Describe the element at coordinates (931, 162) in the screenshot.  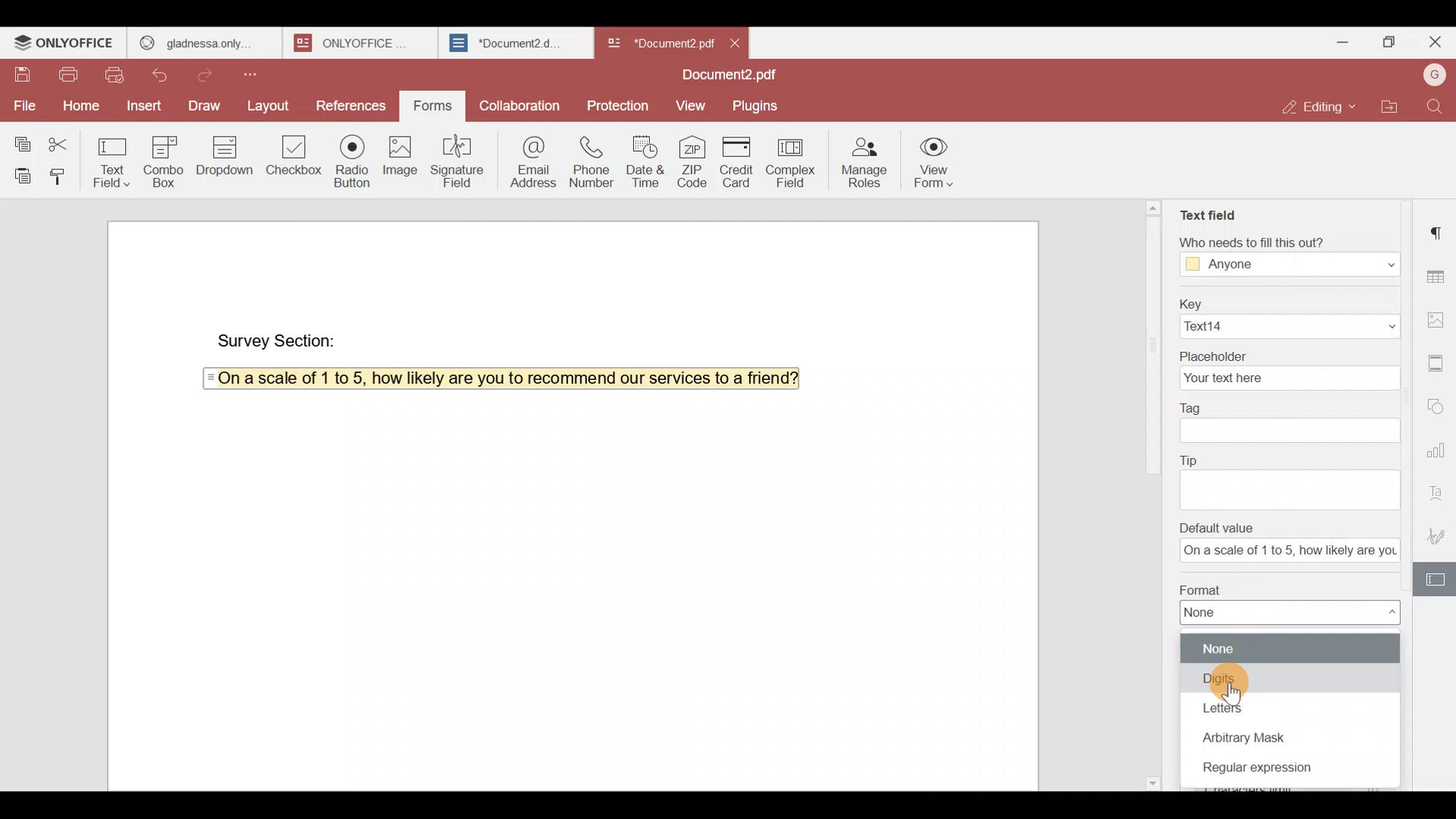
I see `View form` at that location.